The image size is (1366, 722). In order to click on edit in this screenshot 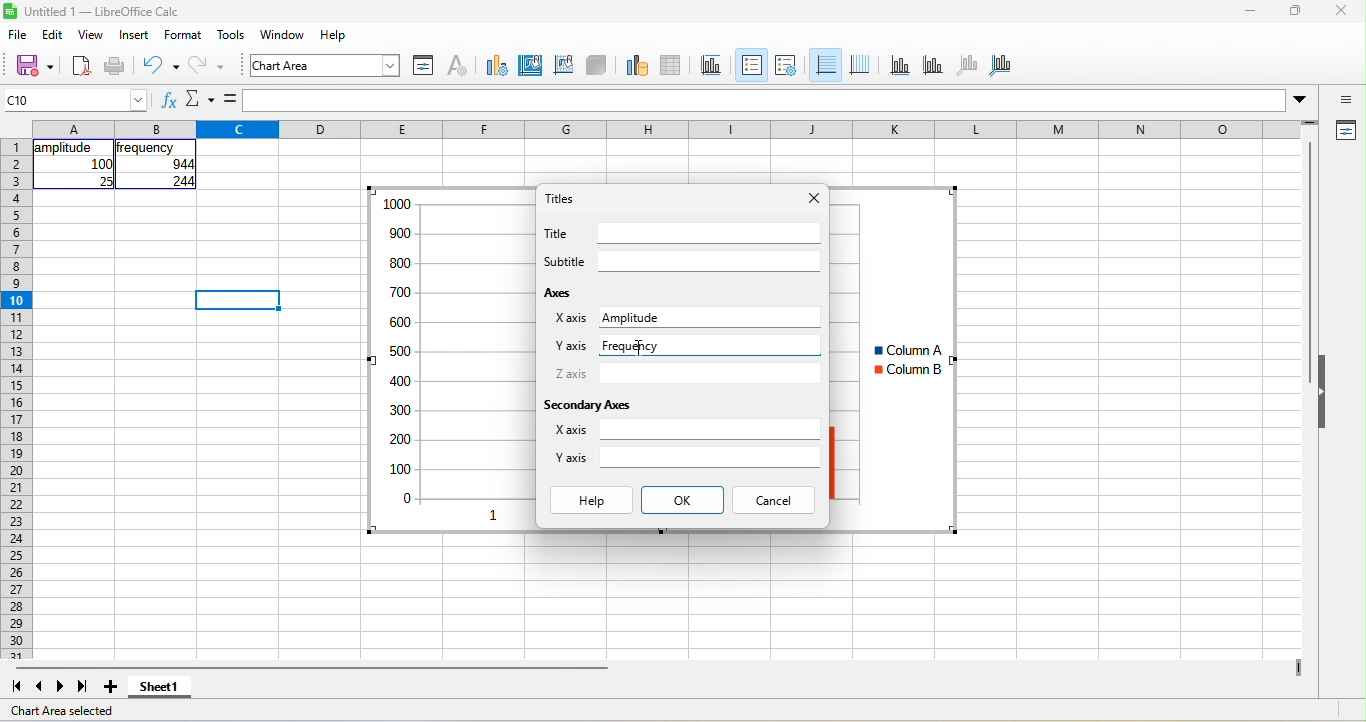, I will do `click(53, 34)`.